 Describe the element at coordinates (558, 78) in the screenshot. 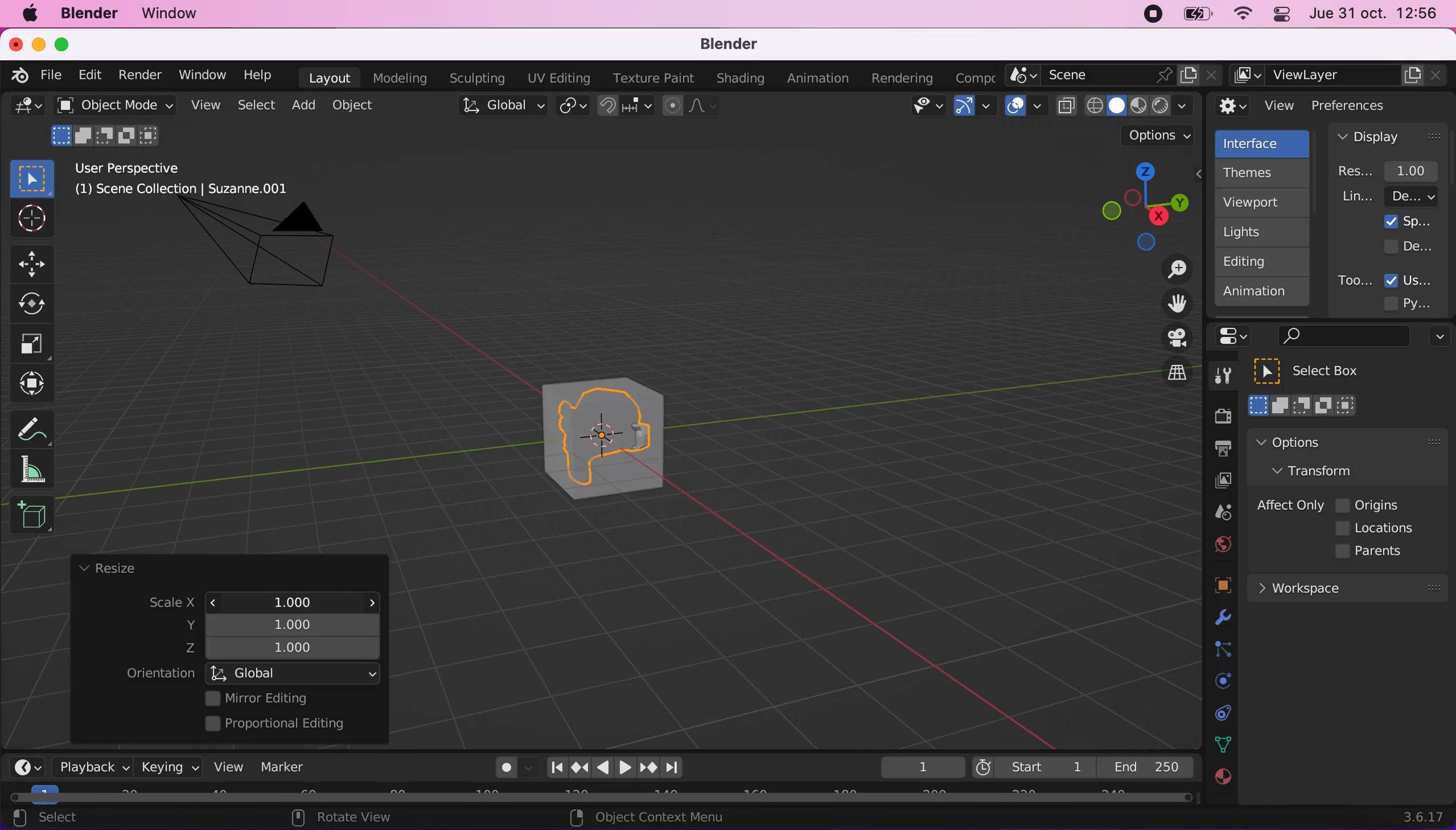

I see `uv editing` at that location.